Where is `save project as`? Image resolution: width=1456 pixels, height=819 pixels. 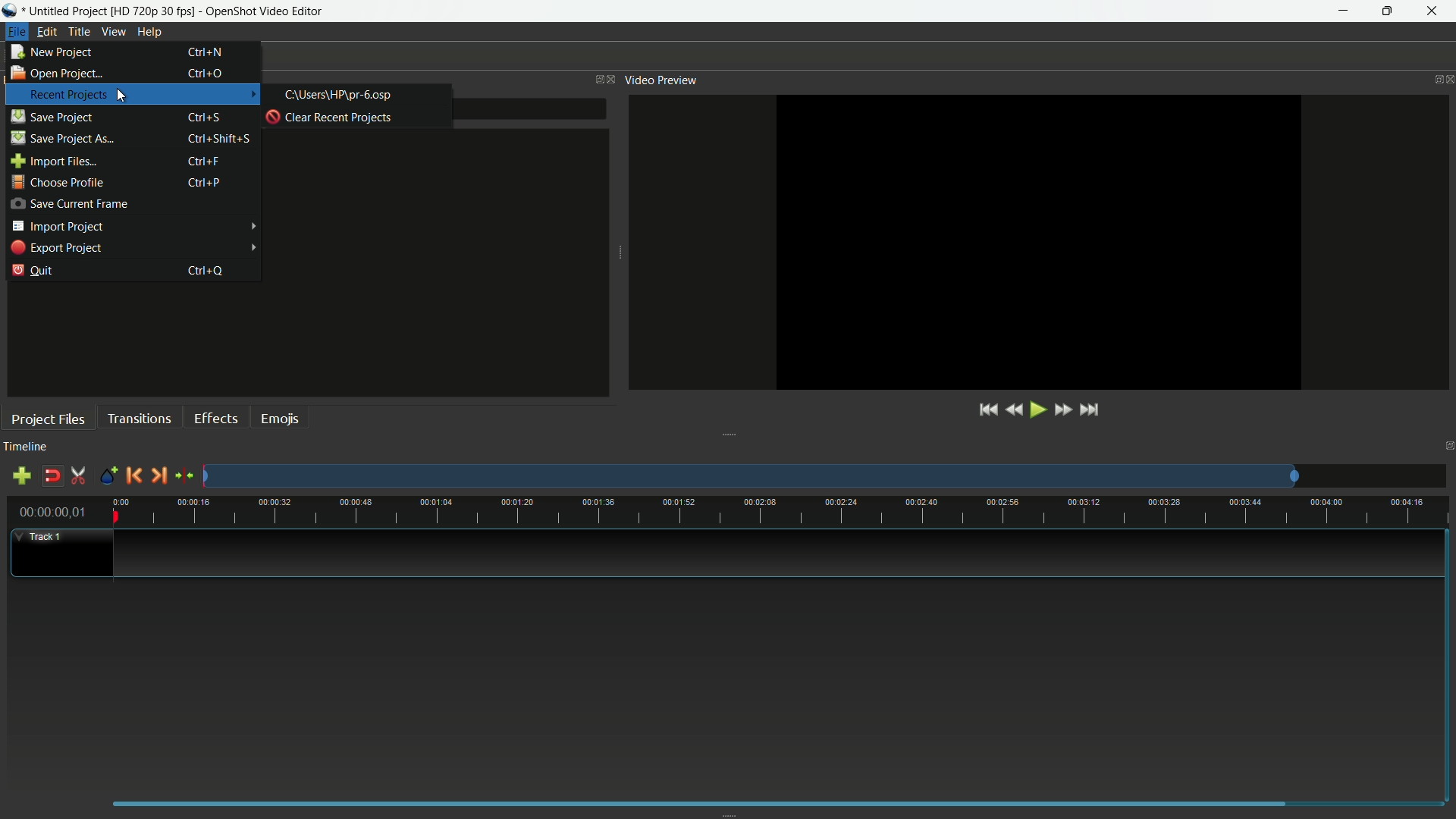 save project as is located at coordinates (62, 138).